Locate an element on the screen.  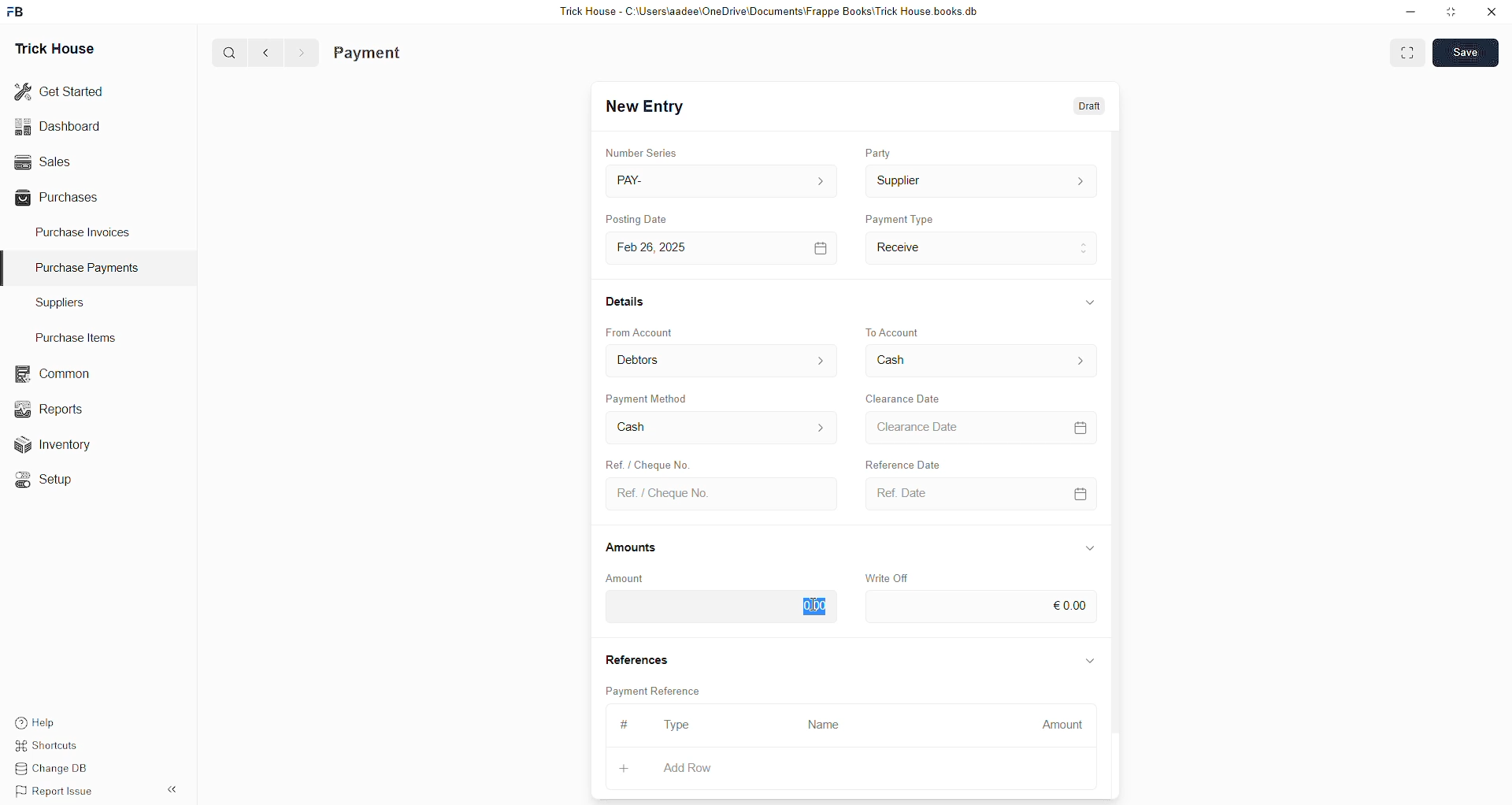
Party is located at coordinates (880, 154).